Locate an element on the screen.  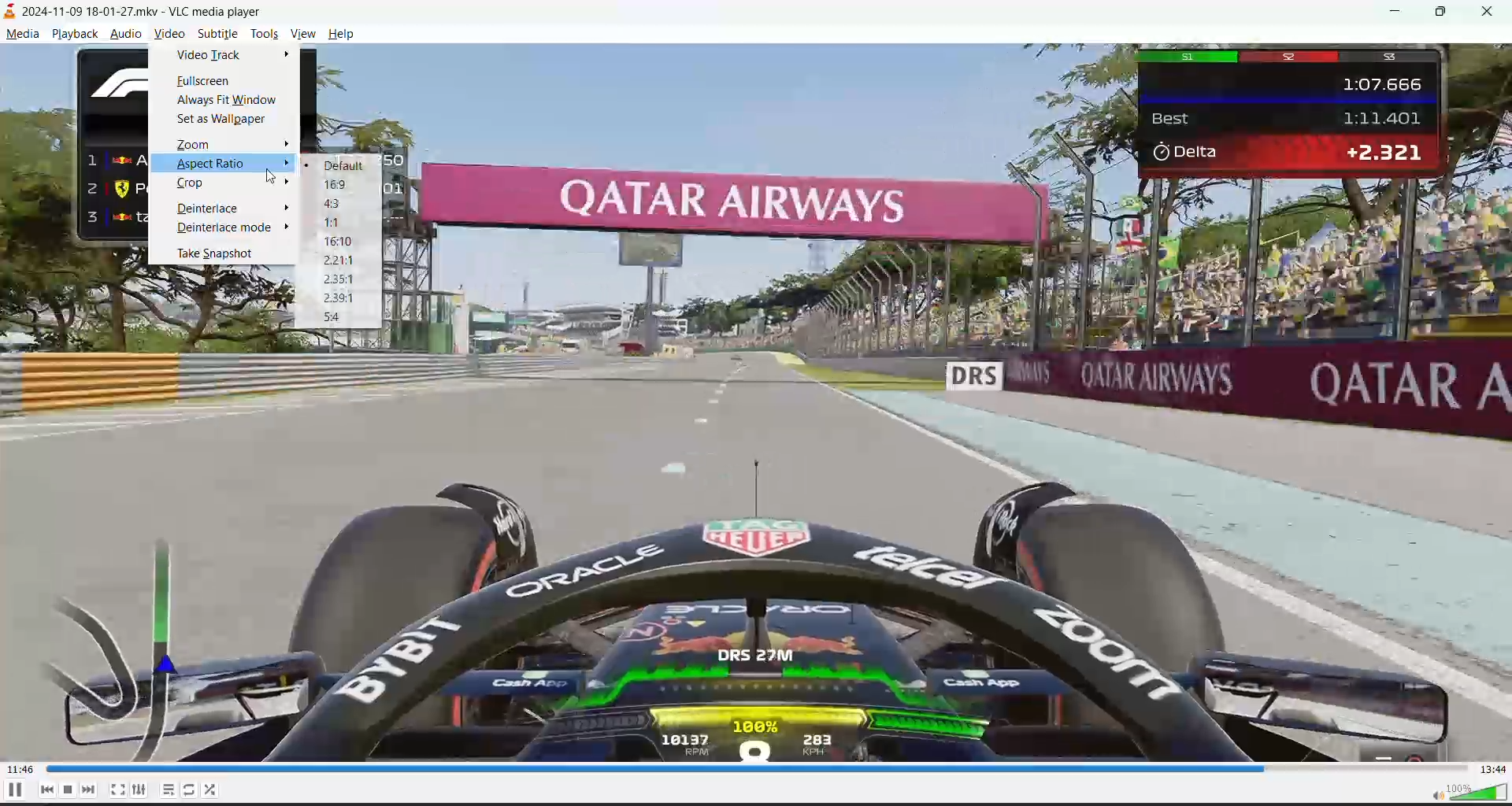
volume is located at coordinates (1461, 792).